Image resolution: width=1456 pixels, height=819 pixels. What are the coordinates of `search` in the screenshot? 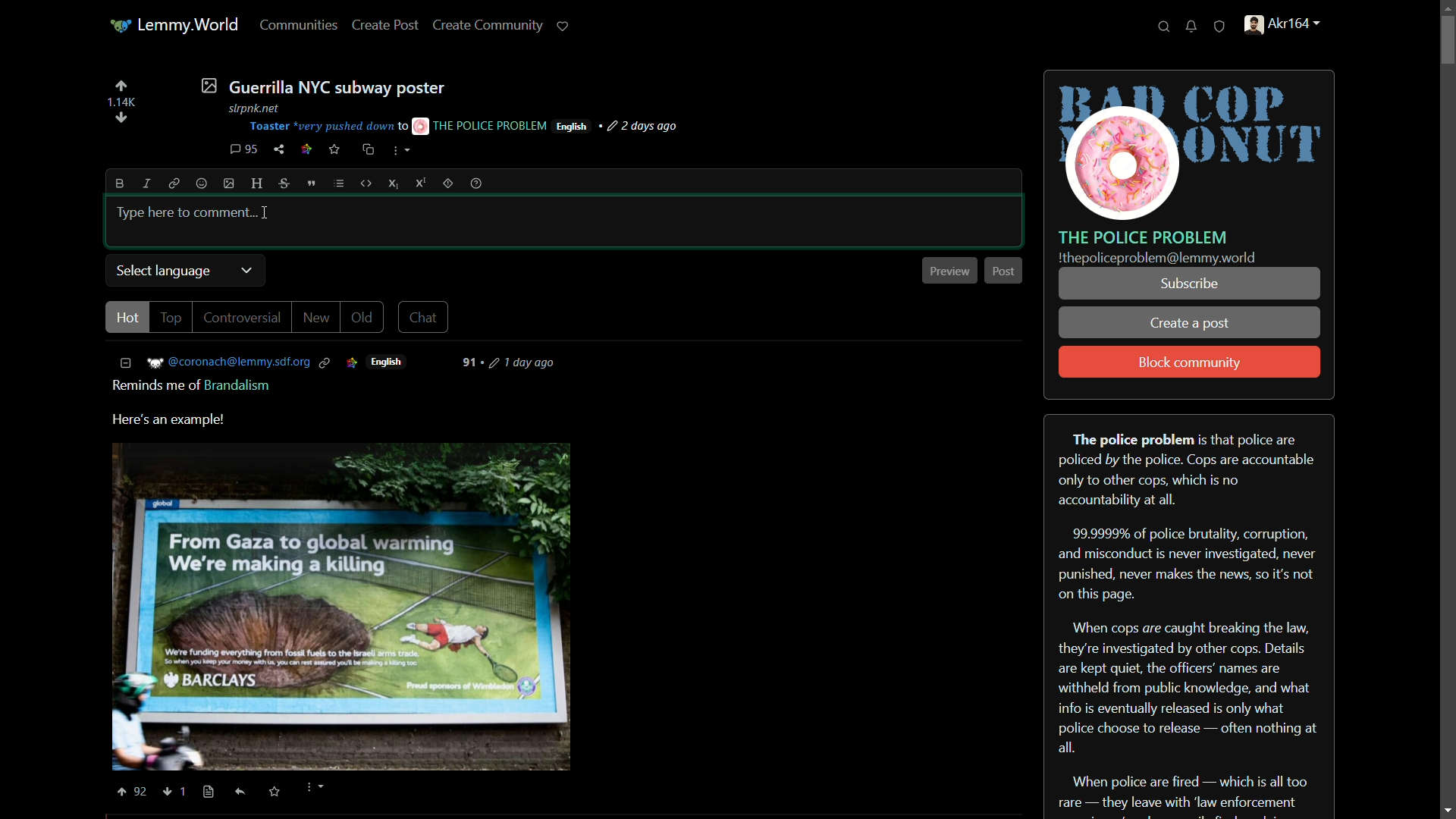 It's located at (1164, 27).